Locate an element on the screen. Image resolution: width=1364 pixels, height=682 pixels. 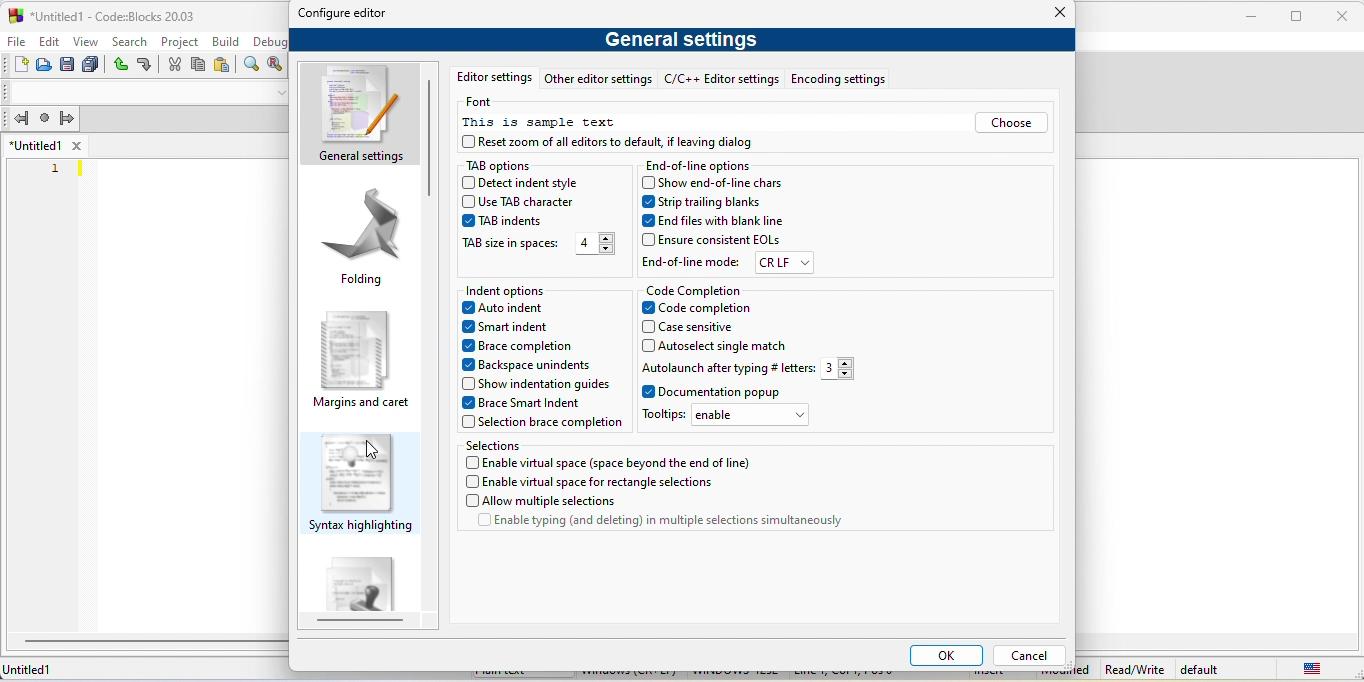
view is located at coordinates (85, 41).